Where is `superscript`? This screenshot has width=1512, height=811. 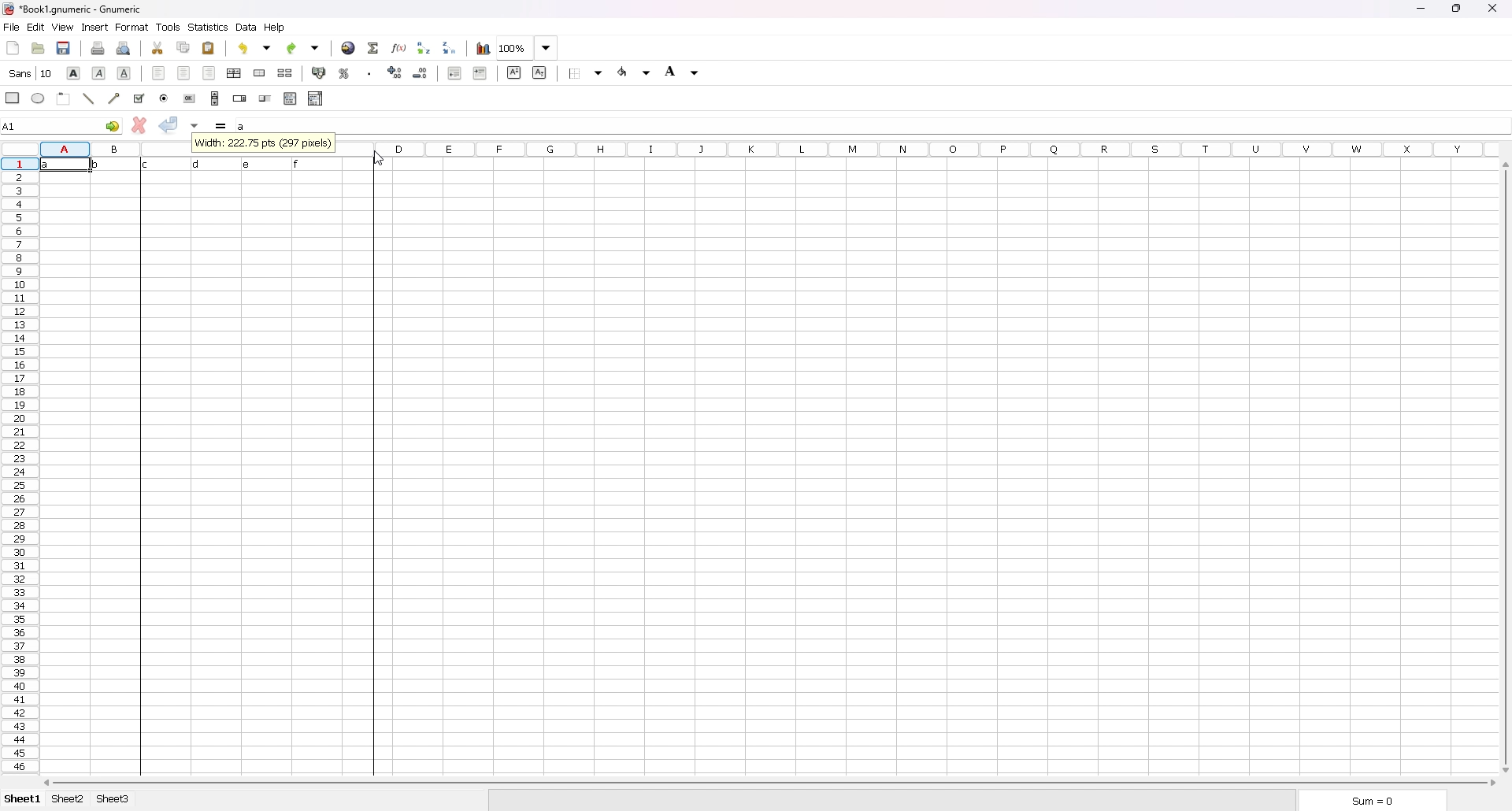 superscript is located at coordinates (513, 72).